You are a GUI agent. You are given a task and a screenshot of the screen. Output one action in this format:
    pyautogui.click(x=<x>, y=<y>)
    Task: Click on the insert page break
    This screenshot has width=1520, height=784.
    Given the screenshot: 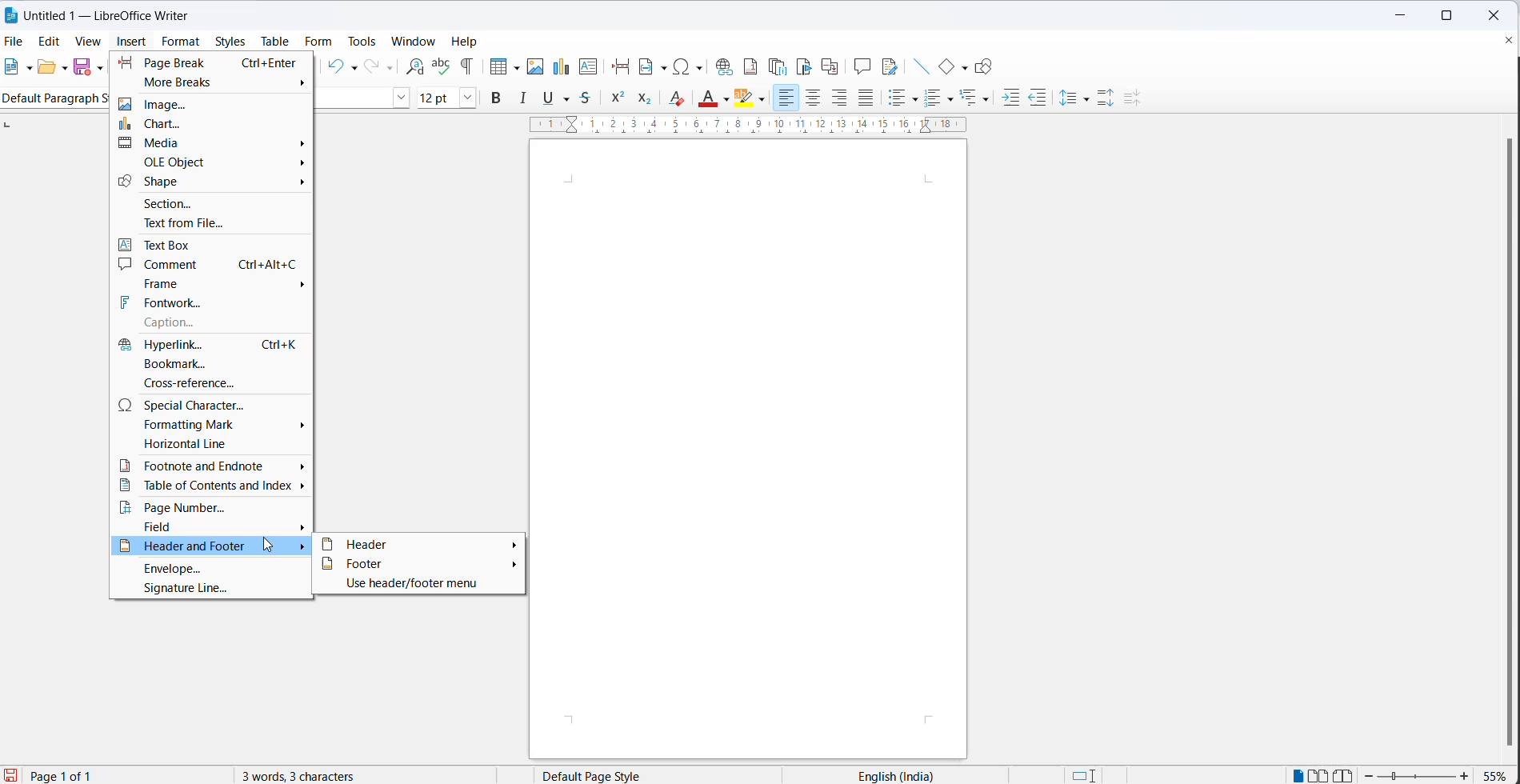 What is the action you would take?
    pyautogui.click(x=620, y=67)
    